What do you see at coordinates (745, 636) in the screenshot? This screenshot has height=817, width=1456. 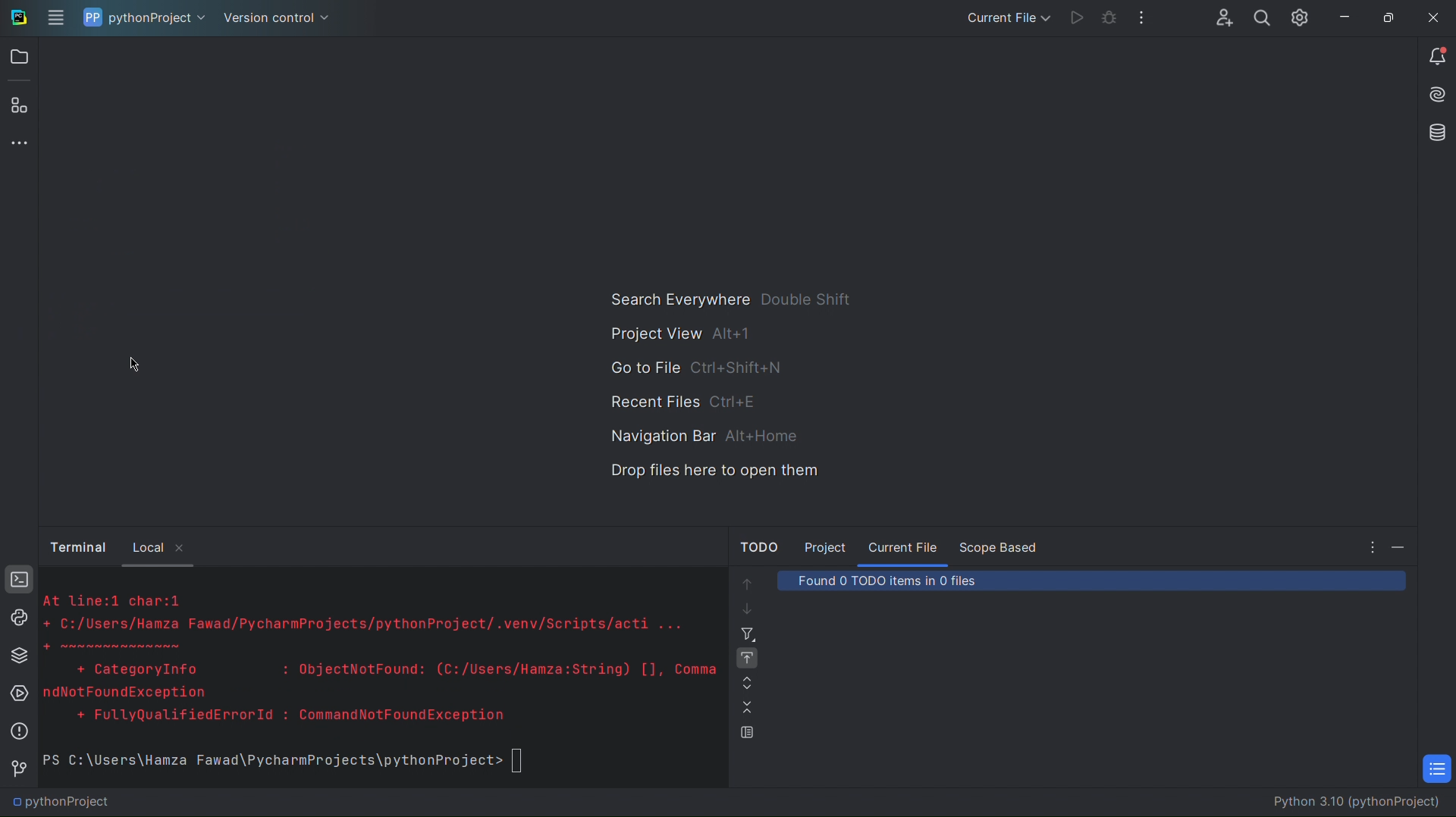 I see `Filter` at bounding box center [745, 636].